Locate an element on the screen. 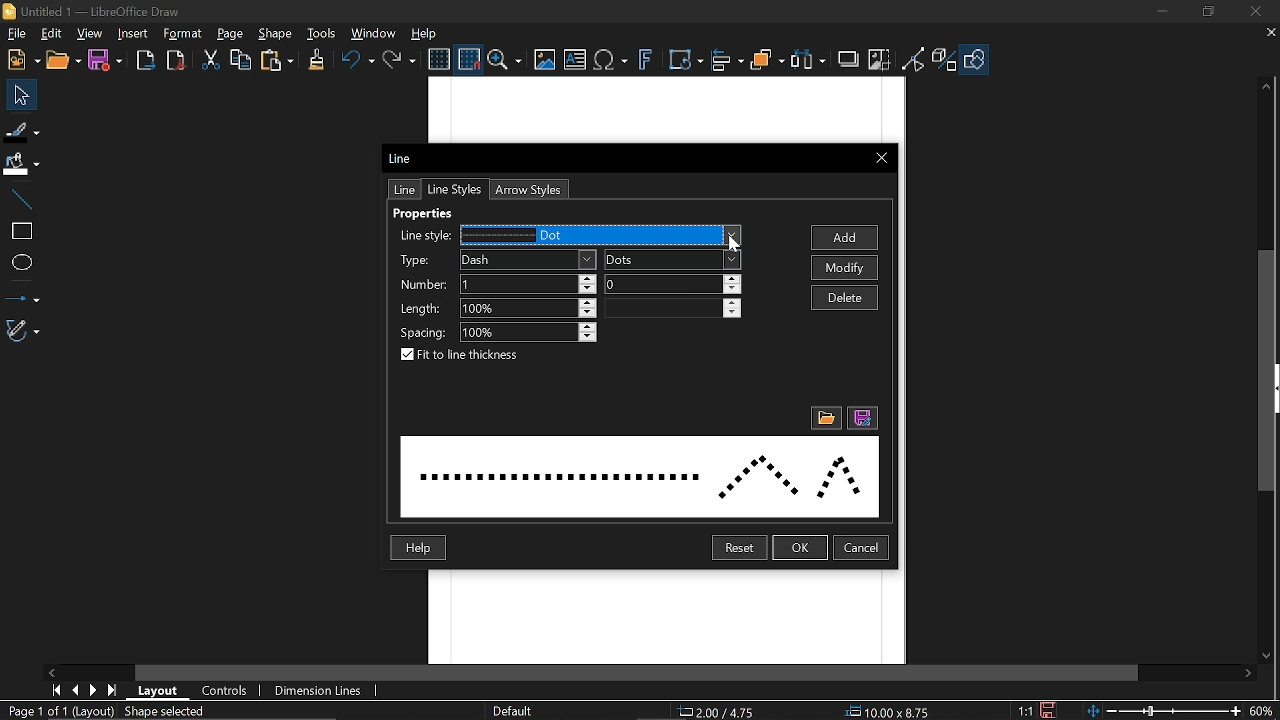  File is located at coordinates (825, 419).